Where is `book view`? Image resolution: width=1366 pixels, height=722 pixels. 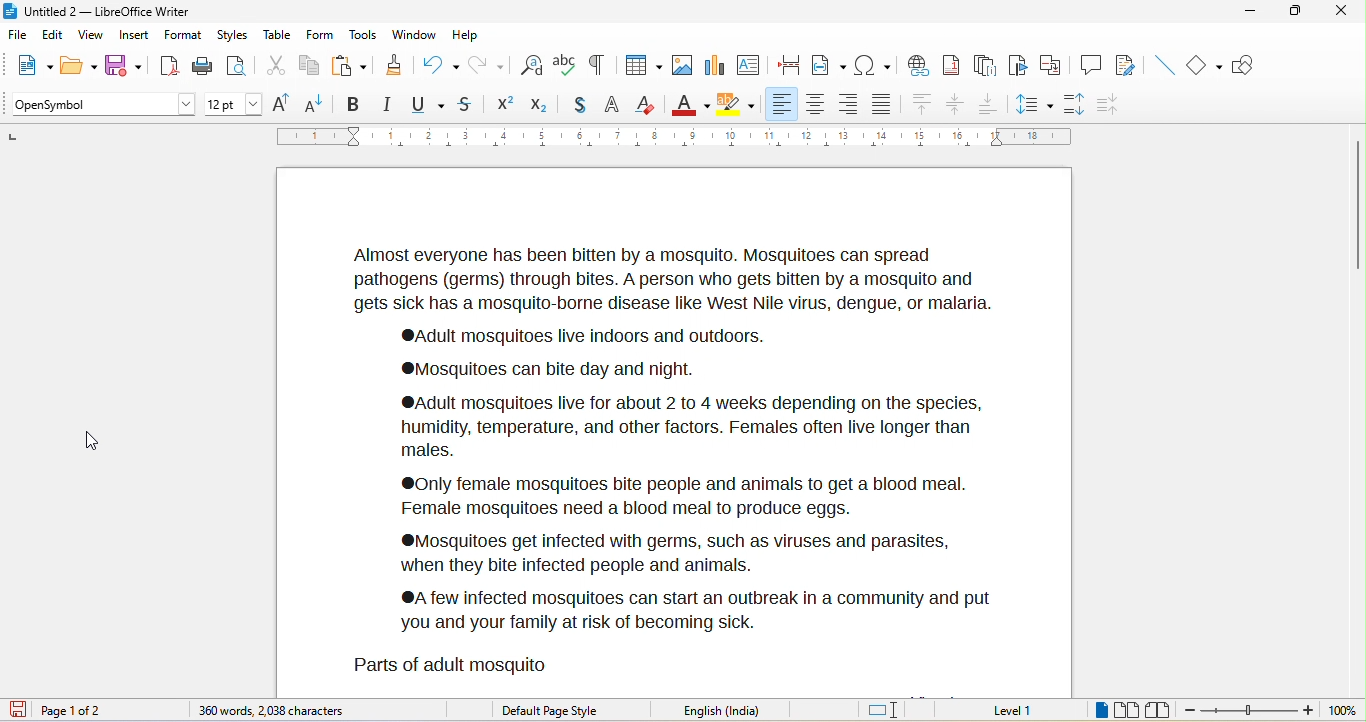 book view is located at coordinates (1158, 711).